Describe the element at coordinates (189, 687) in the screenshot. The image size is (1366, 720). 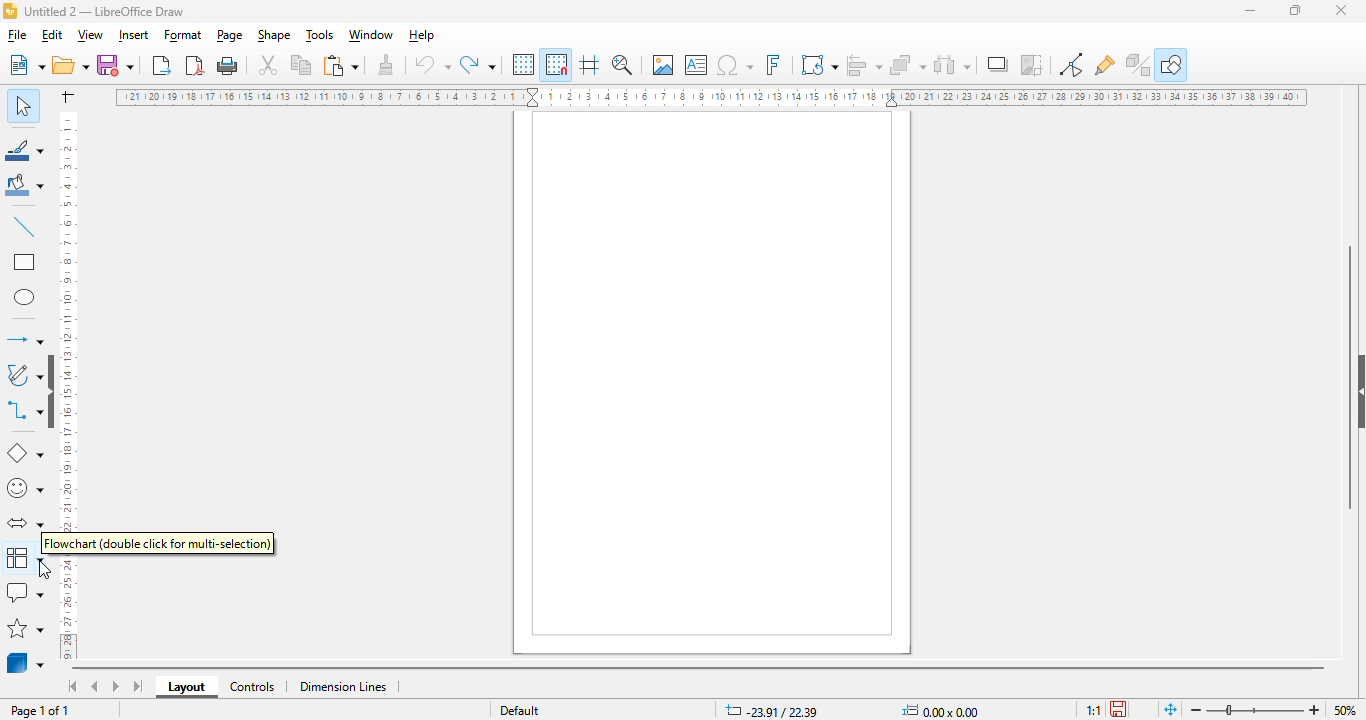
I see `layout` at that location.